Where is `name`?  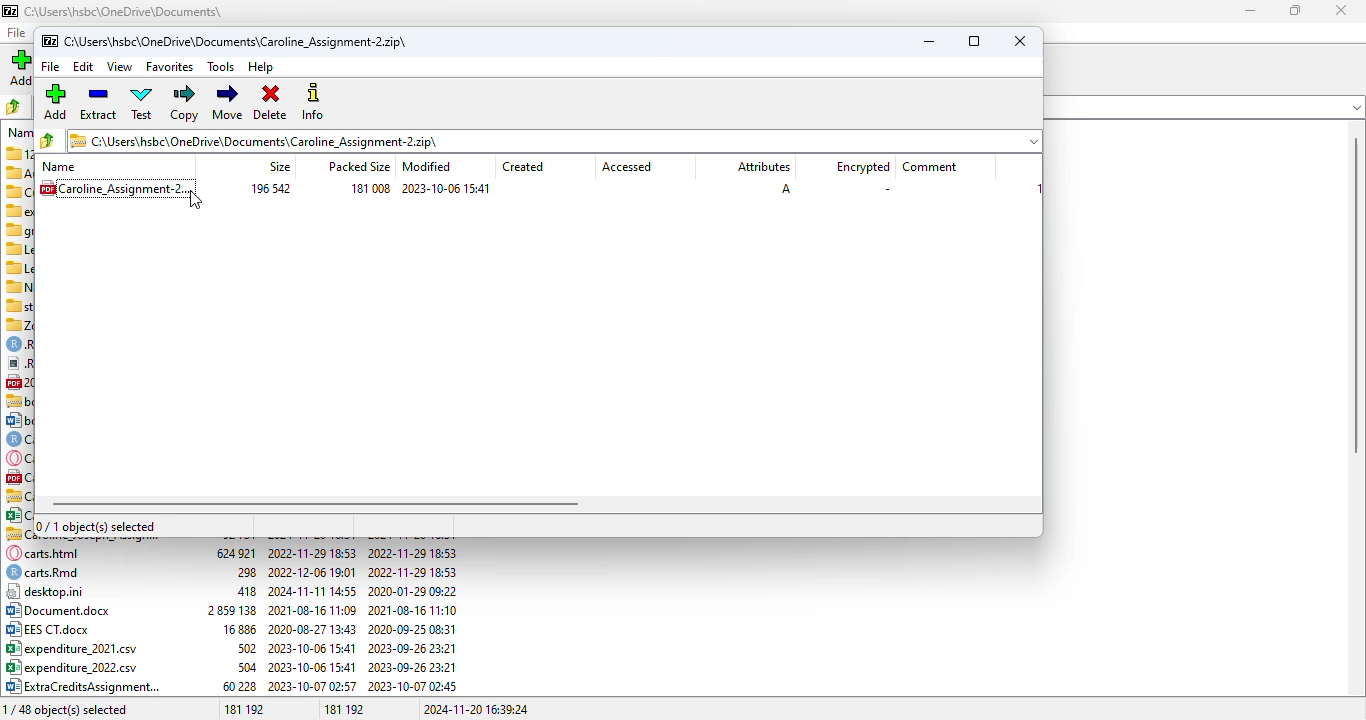 name is located at coordinates (58, 166).